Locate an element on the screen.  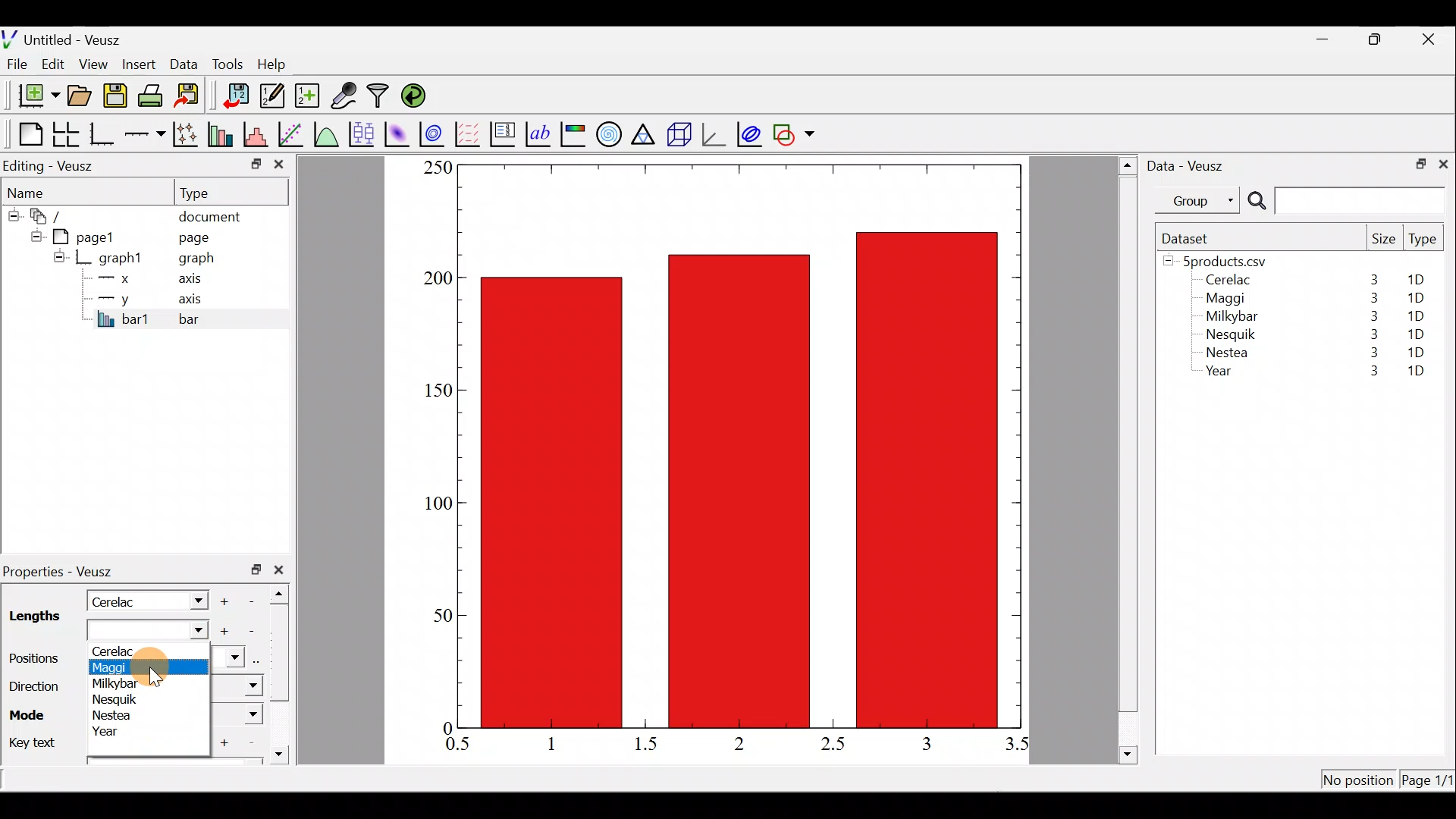
Cursor is located at coordinates (156, 667).